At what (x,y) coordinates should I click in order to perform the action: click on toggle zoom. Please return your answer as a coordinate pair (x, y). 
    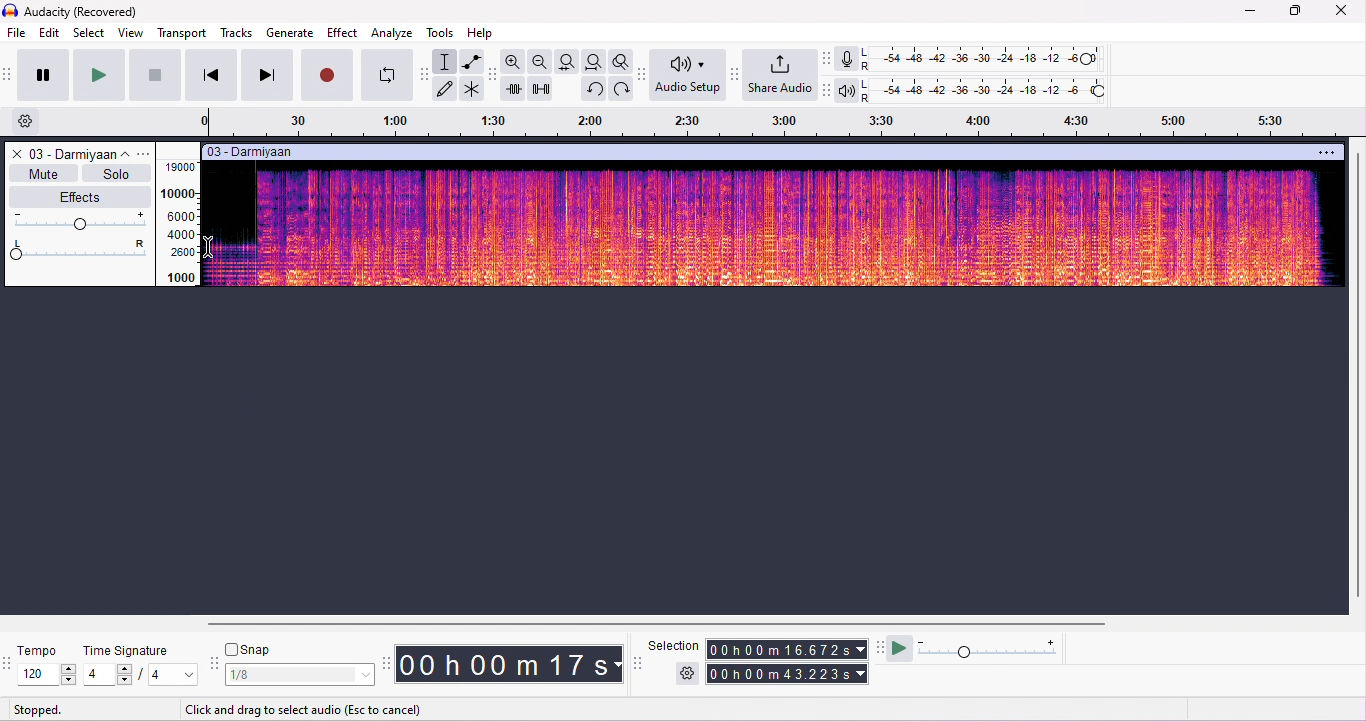
    Looking at the image, I should click on (620, 61).